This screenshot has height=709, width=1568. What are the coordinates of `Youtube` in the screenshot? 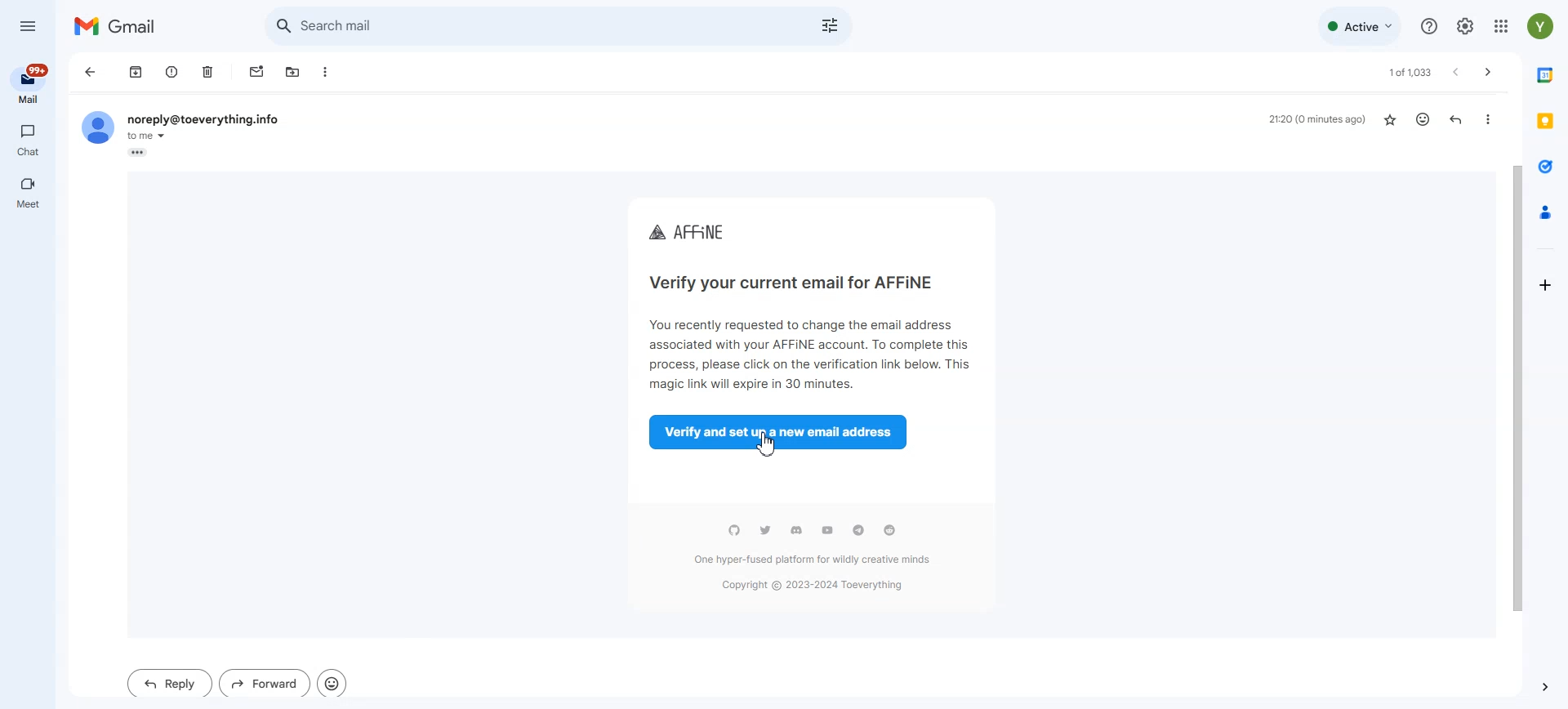 It's located at (827, 530).